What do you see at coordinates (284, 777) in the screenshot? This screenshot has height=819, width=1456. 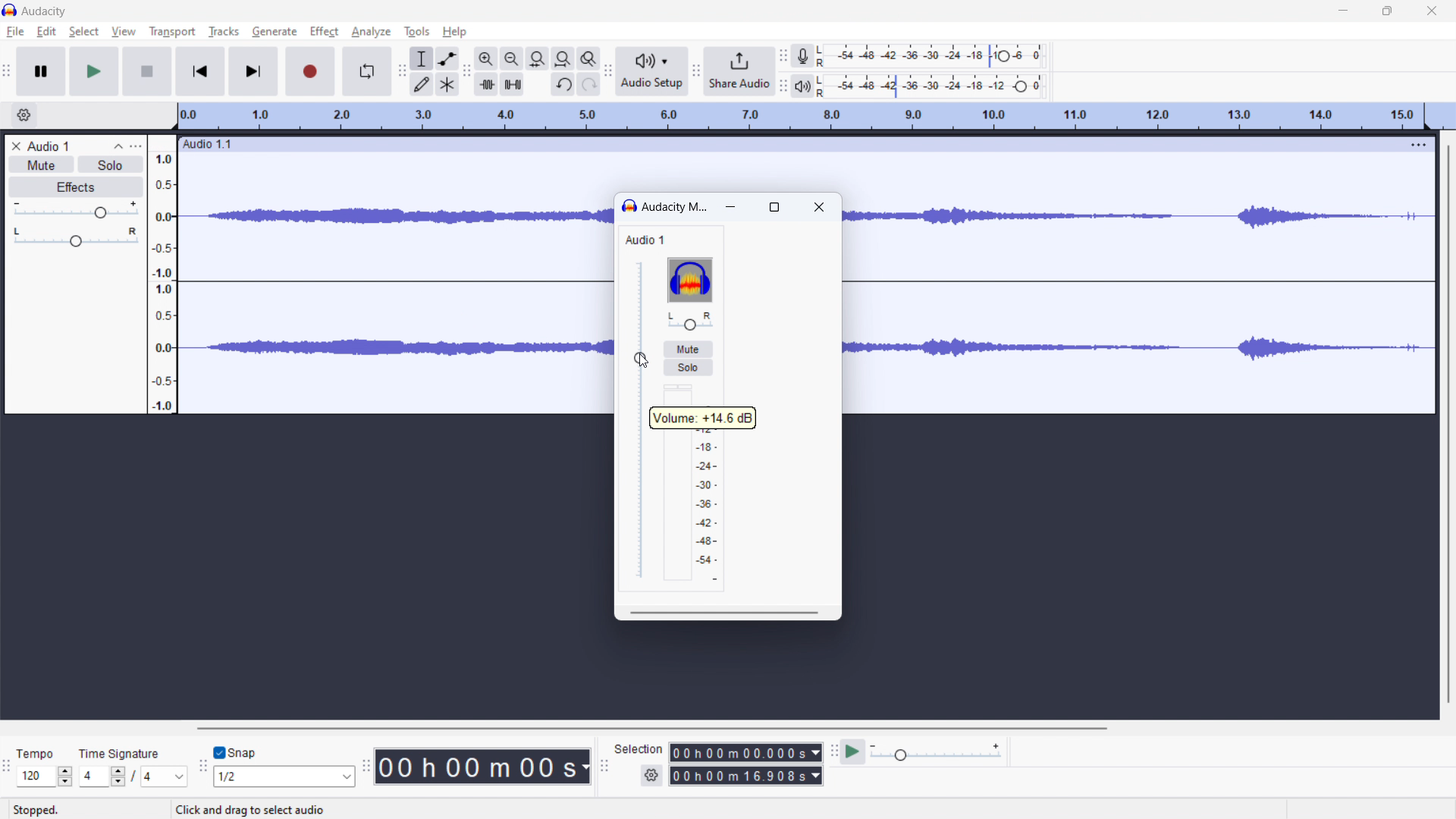 I see `select snap` at bounding box center [284, 777].